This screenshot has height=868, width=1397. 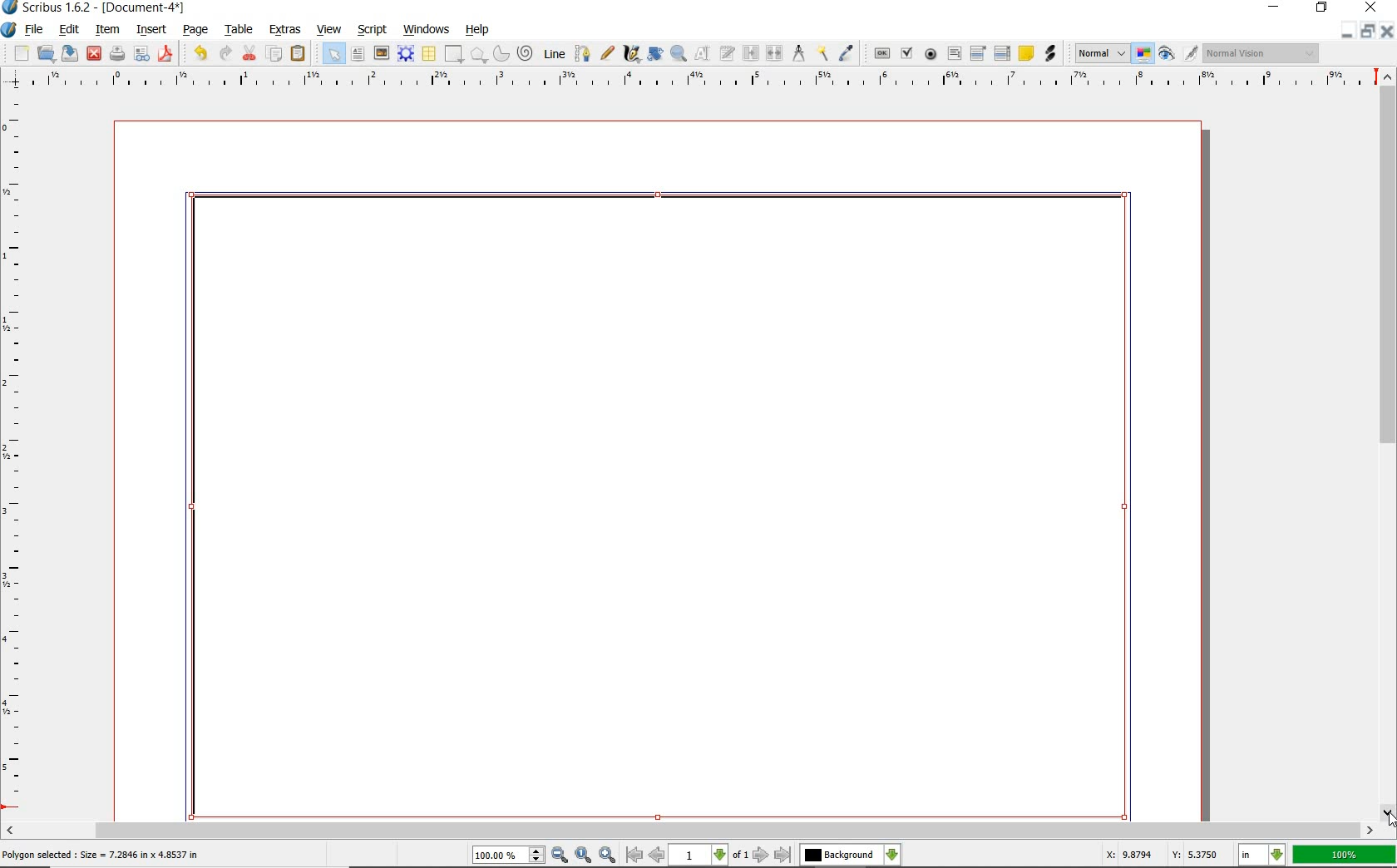 What do you see at coordinates (250, 52) in the screenshot?
I see `cut` at bounding box center [250, 52].